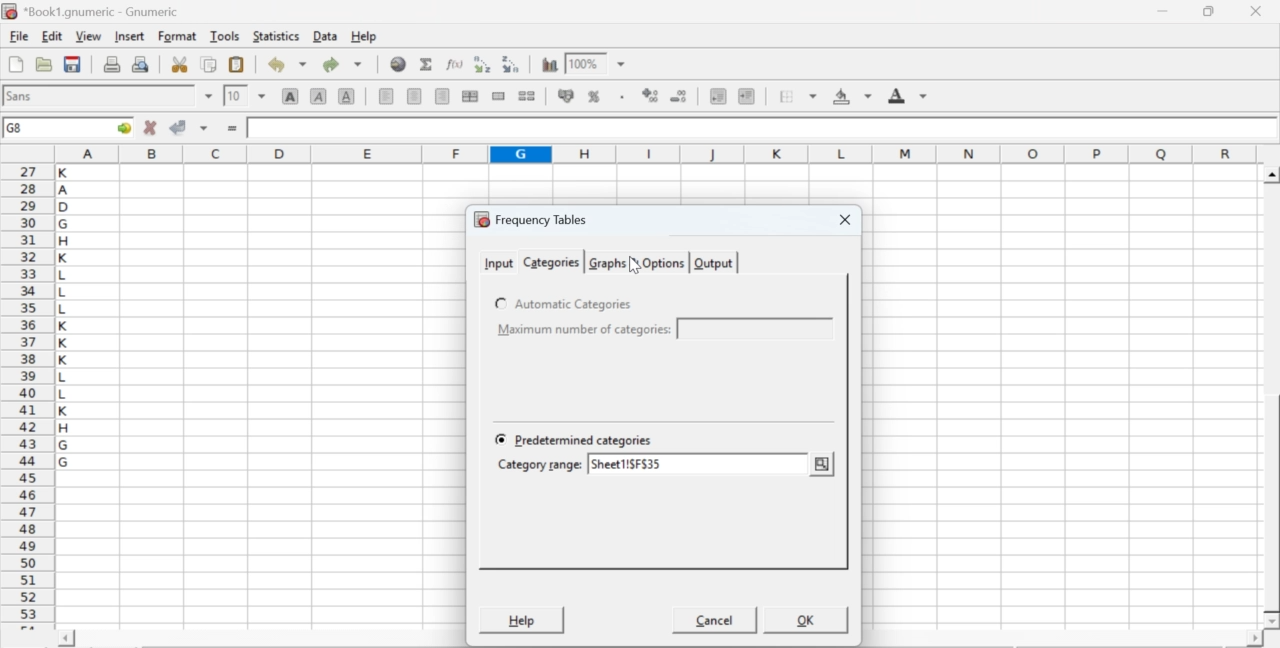  What do you see at coordinates (854, 96) in the screenshot?
I see `background` at bounding box center [854, 96].